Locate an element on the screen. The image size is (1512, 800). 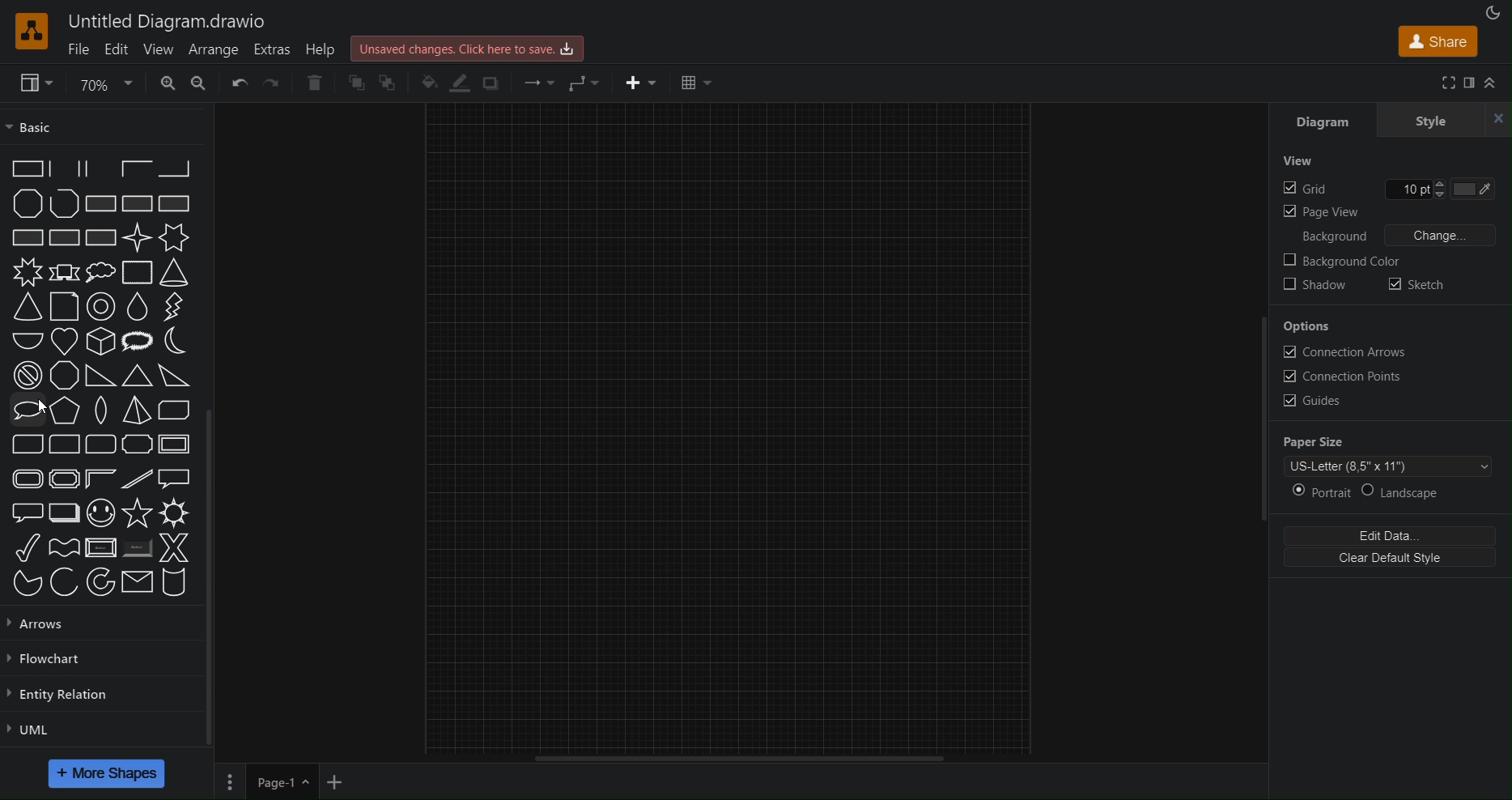
Rectangle with Grid Full is located at coordinates (64, 238).